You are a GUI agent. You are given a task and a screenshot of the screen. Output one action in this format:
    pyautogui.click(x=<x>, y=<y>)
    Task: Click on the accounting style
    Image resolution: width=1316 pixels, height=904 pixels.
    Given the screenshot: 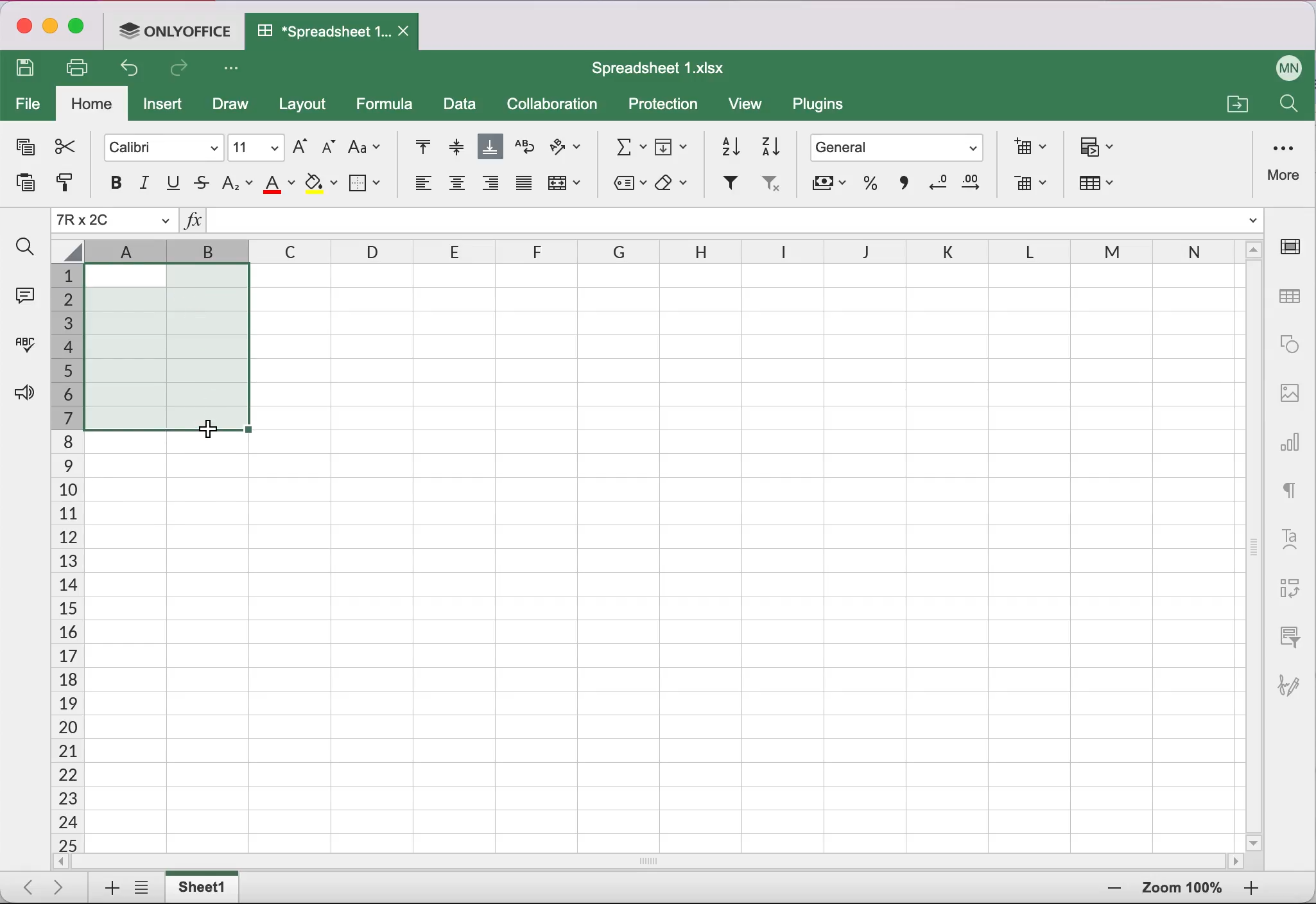 What is the action you would take?
    pyautogui.click(x=827, y=187)
    